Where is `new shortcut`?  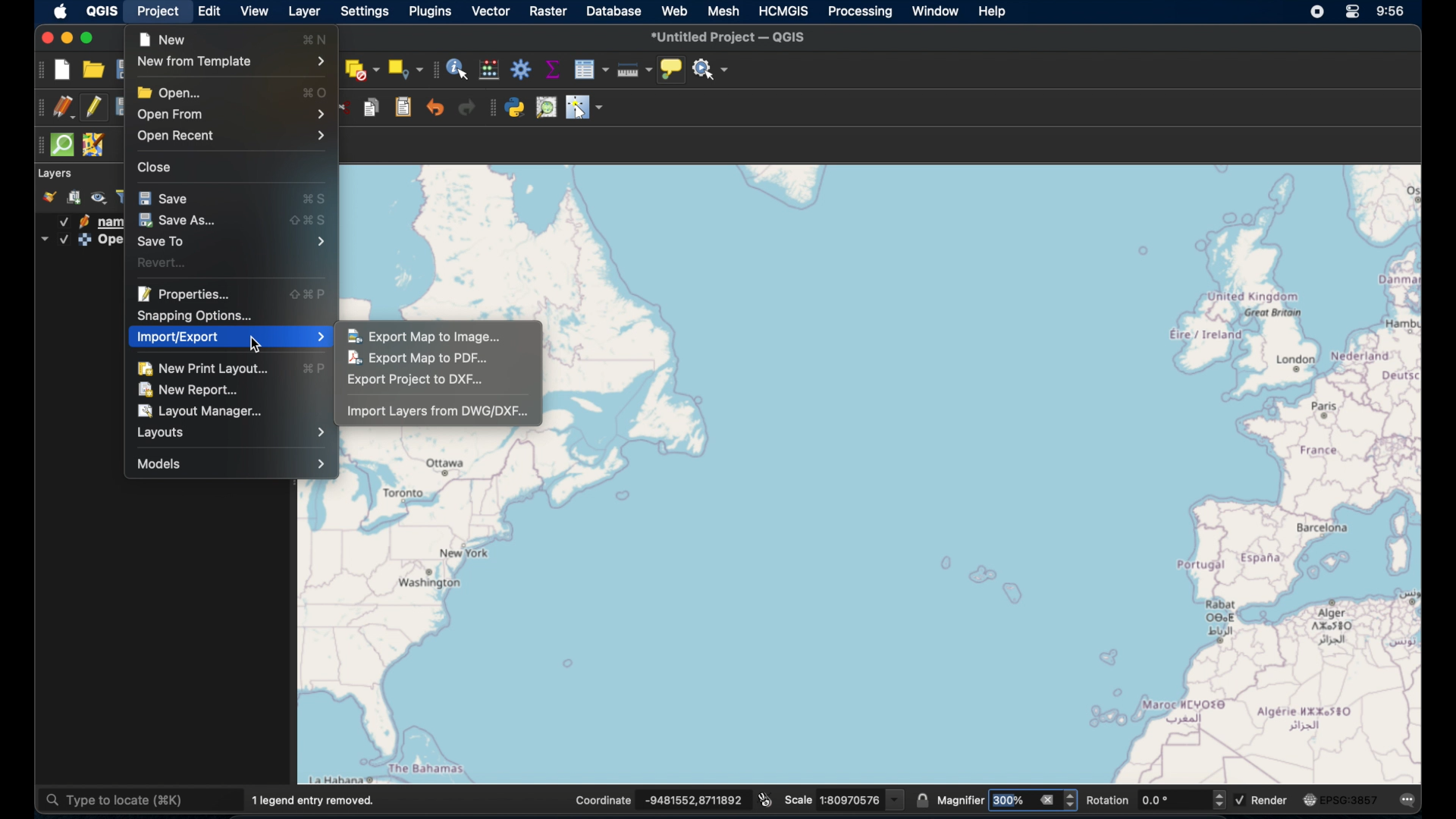
new shortcut is located at coordinates (315, 39).